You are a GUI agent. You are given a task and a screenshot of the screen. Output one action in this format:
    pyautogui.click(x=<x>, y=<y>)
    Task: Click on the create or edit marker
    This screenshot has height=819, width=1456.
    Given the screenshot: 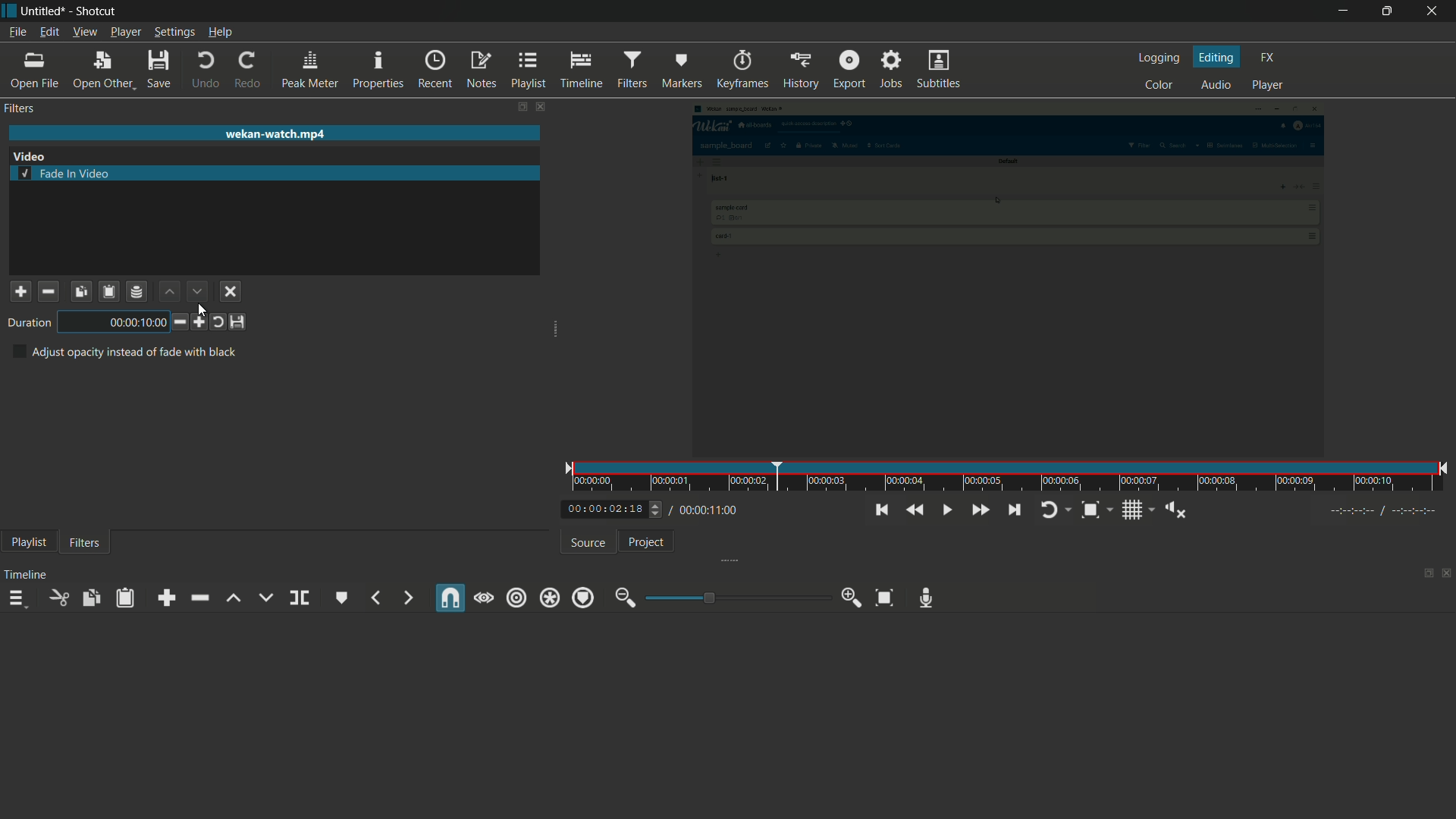 What is the action you would take?
    pyautogui.click(x=342, y=598)
    